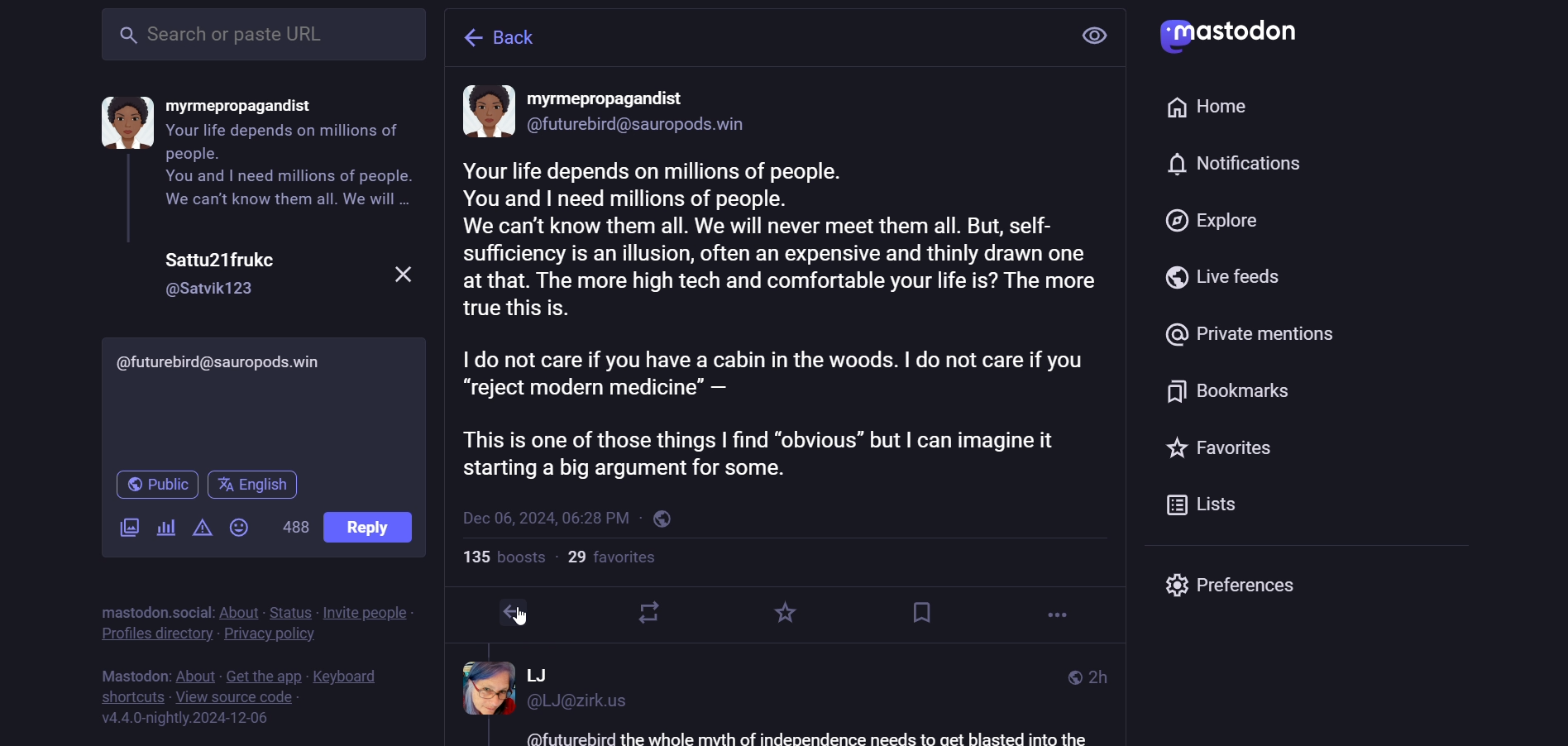 This screenshot has width=1568, height=746. Describe the element at coordinates (615, 560) in the screenshot. I see `followers` at that location.